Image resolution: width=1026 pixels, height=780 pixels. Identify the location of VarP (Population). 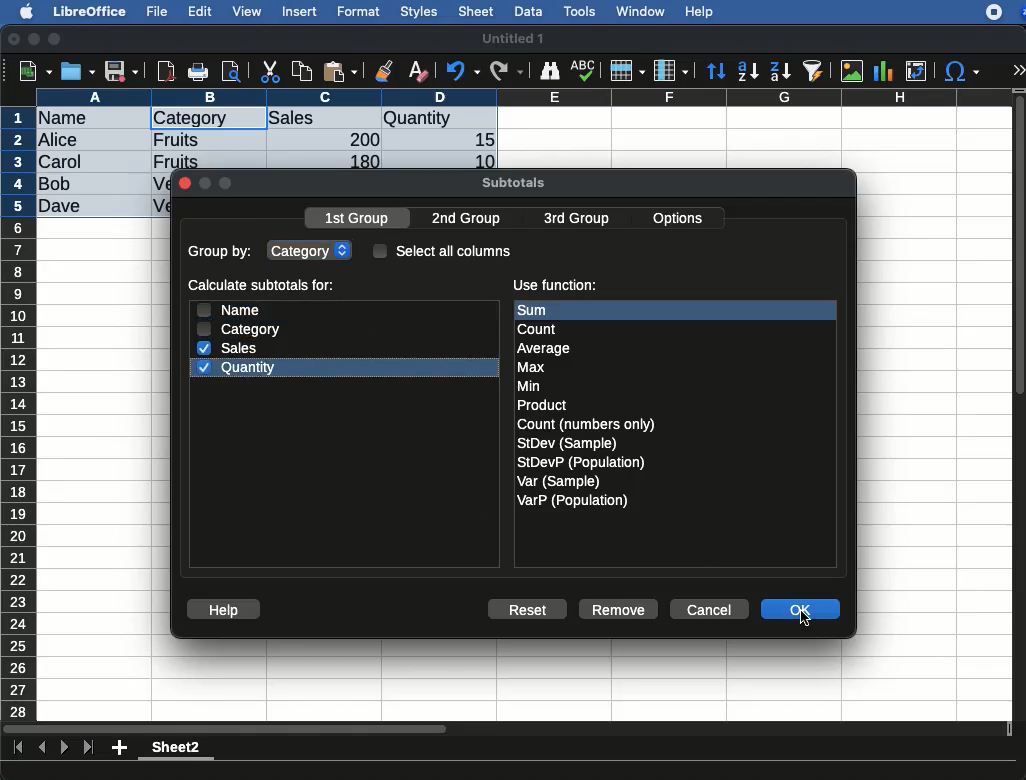
(572, 501).